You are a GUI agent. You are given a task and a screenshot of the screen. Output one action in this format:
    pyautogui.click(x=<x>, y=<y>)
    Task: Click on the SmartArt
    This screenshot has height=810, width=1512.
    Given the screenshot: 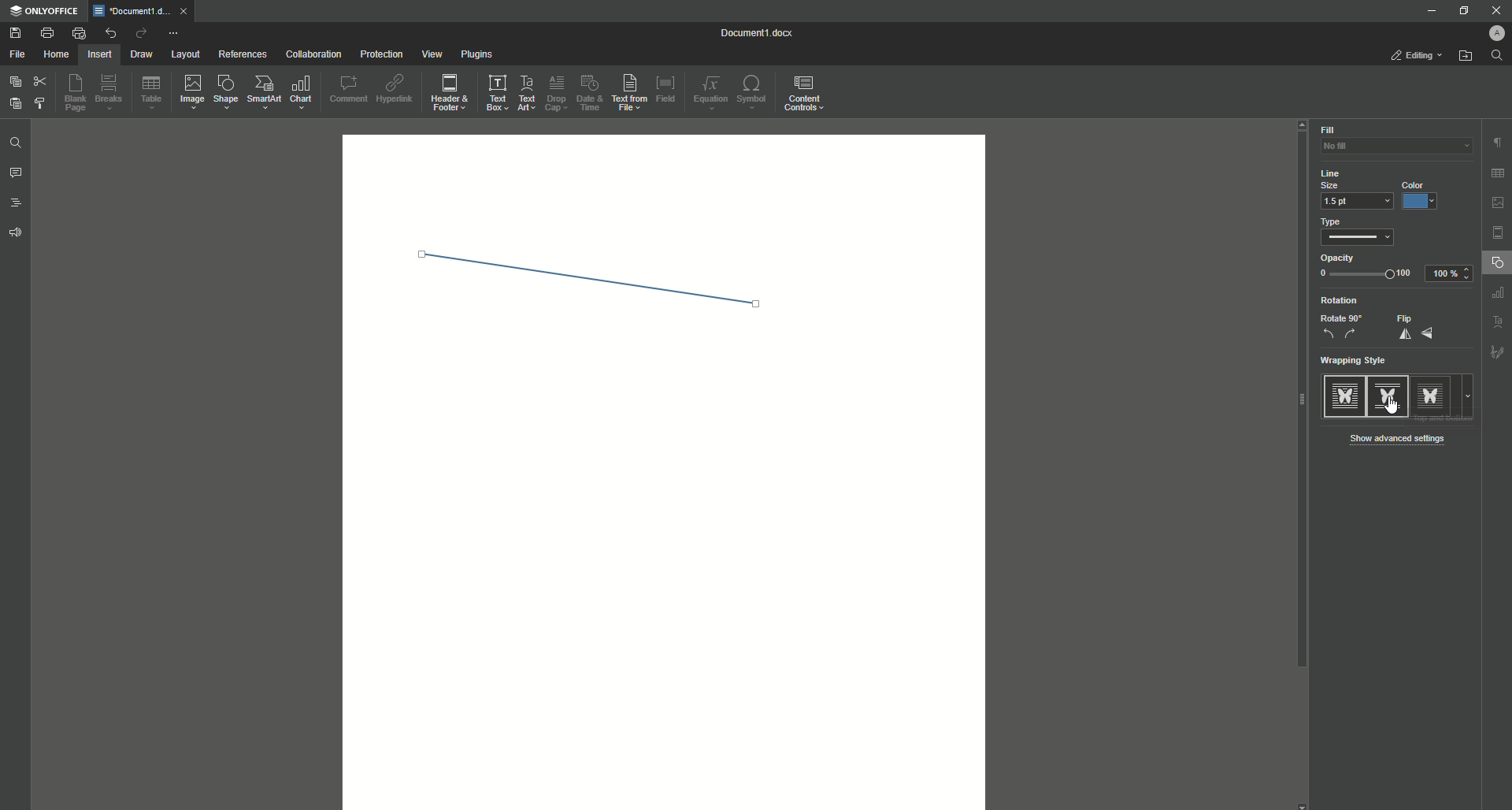 What is the action you would take?
    pyautogui.click(x=265, y=93)
    